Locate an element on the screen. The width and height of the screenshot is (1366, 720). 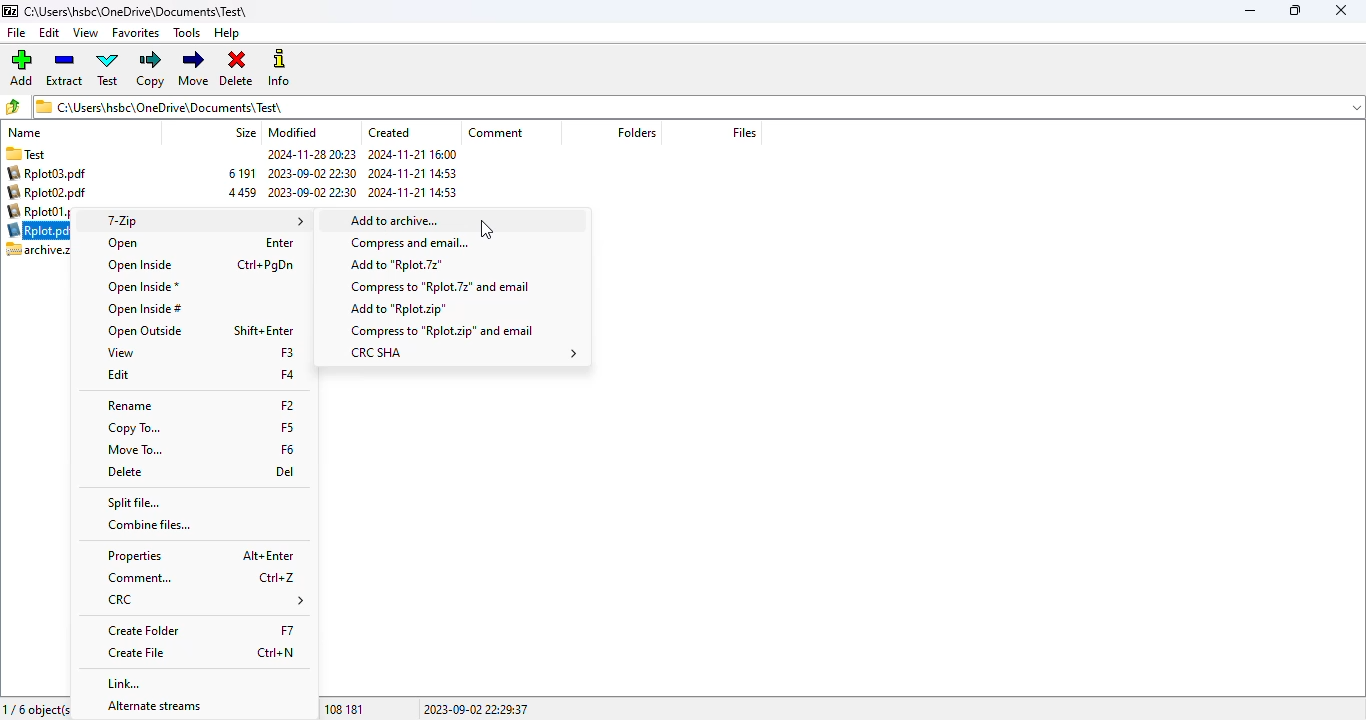
link is located at coordinates (126, 684).